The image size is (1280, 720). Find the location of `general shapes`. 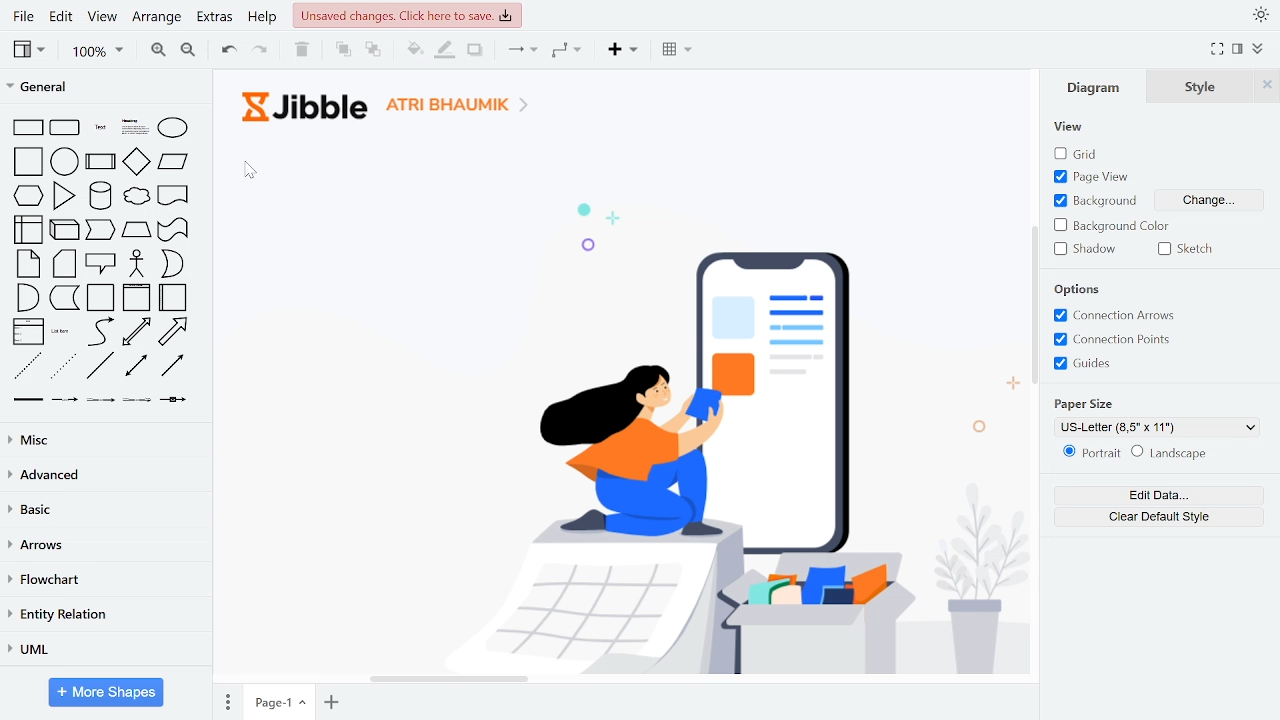

general shapes is located at coordinates (97, 365).